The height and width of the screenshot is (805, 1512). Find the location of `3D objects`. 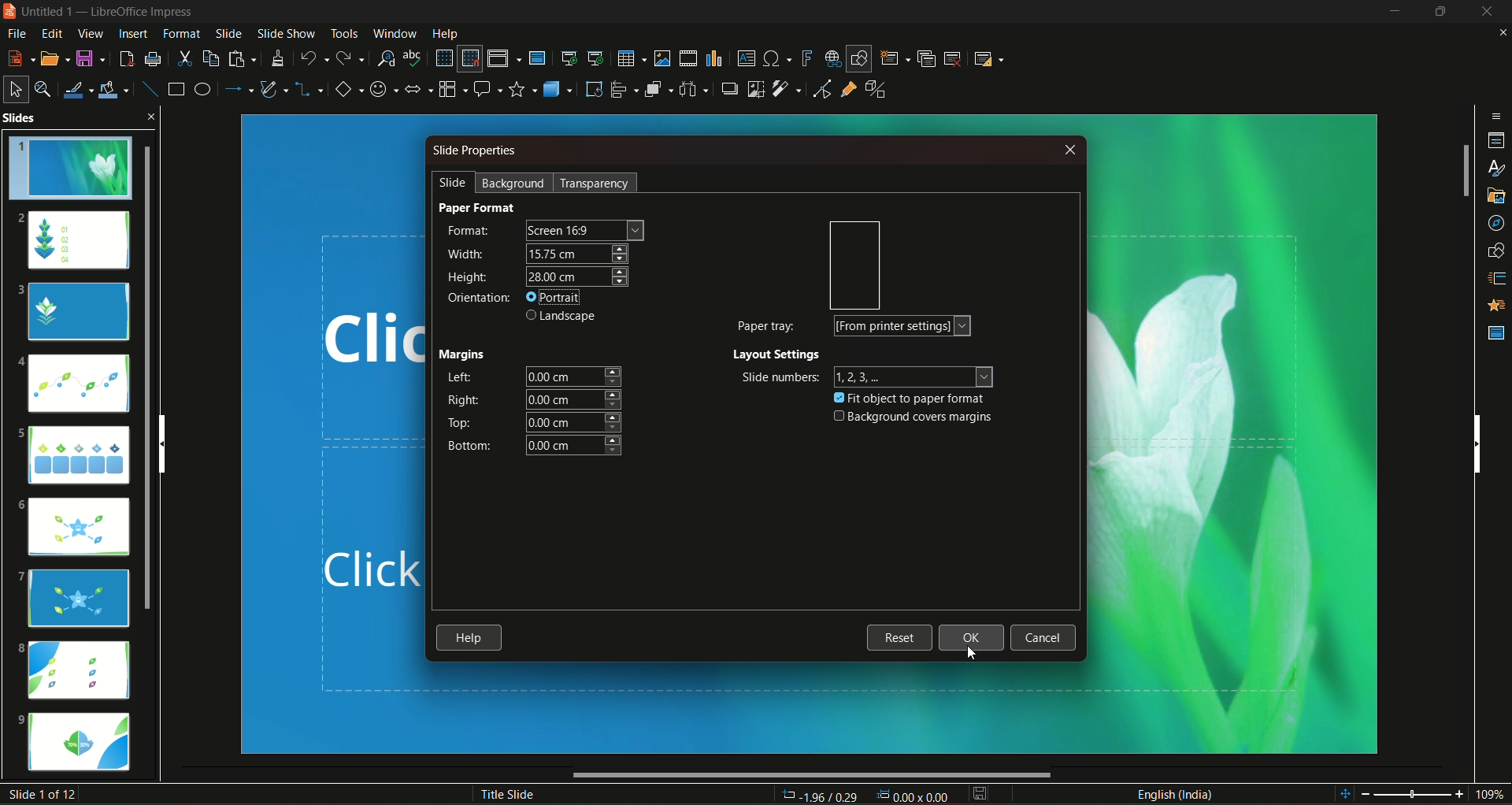

3D objects is located at coordinates (557, 88).